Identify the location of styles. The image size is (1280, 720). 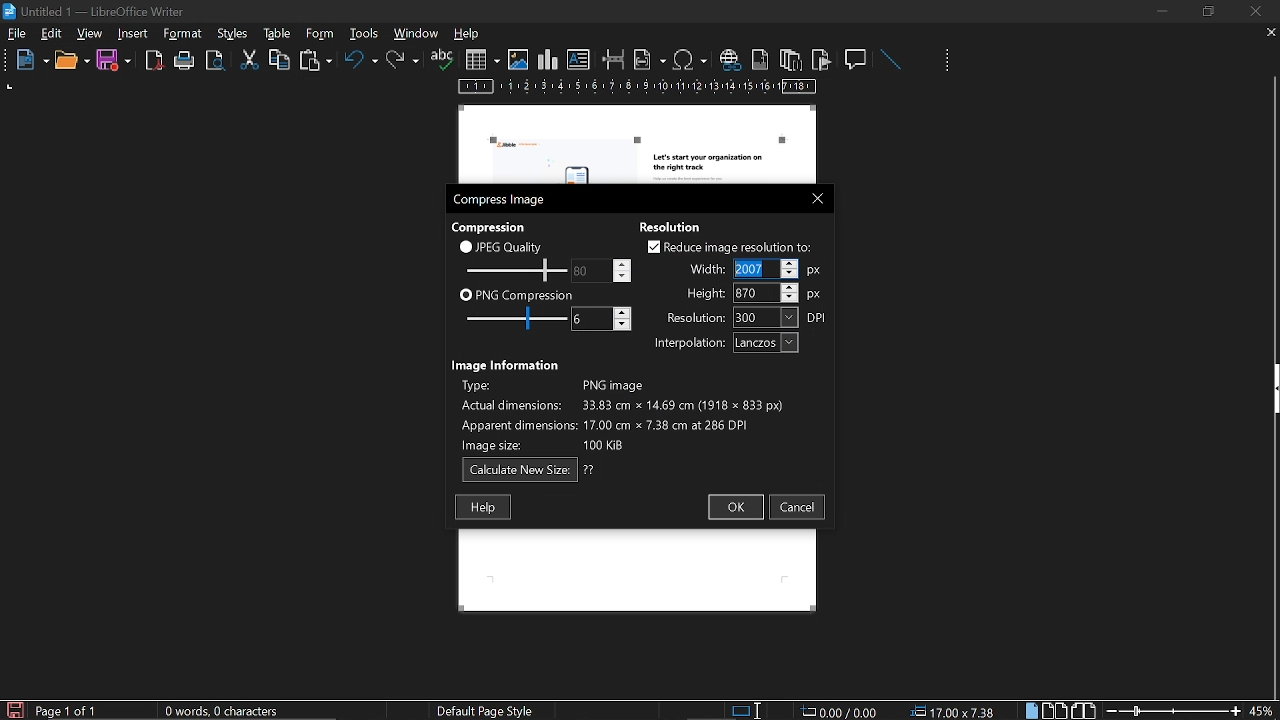
(274, 33).